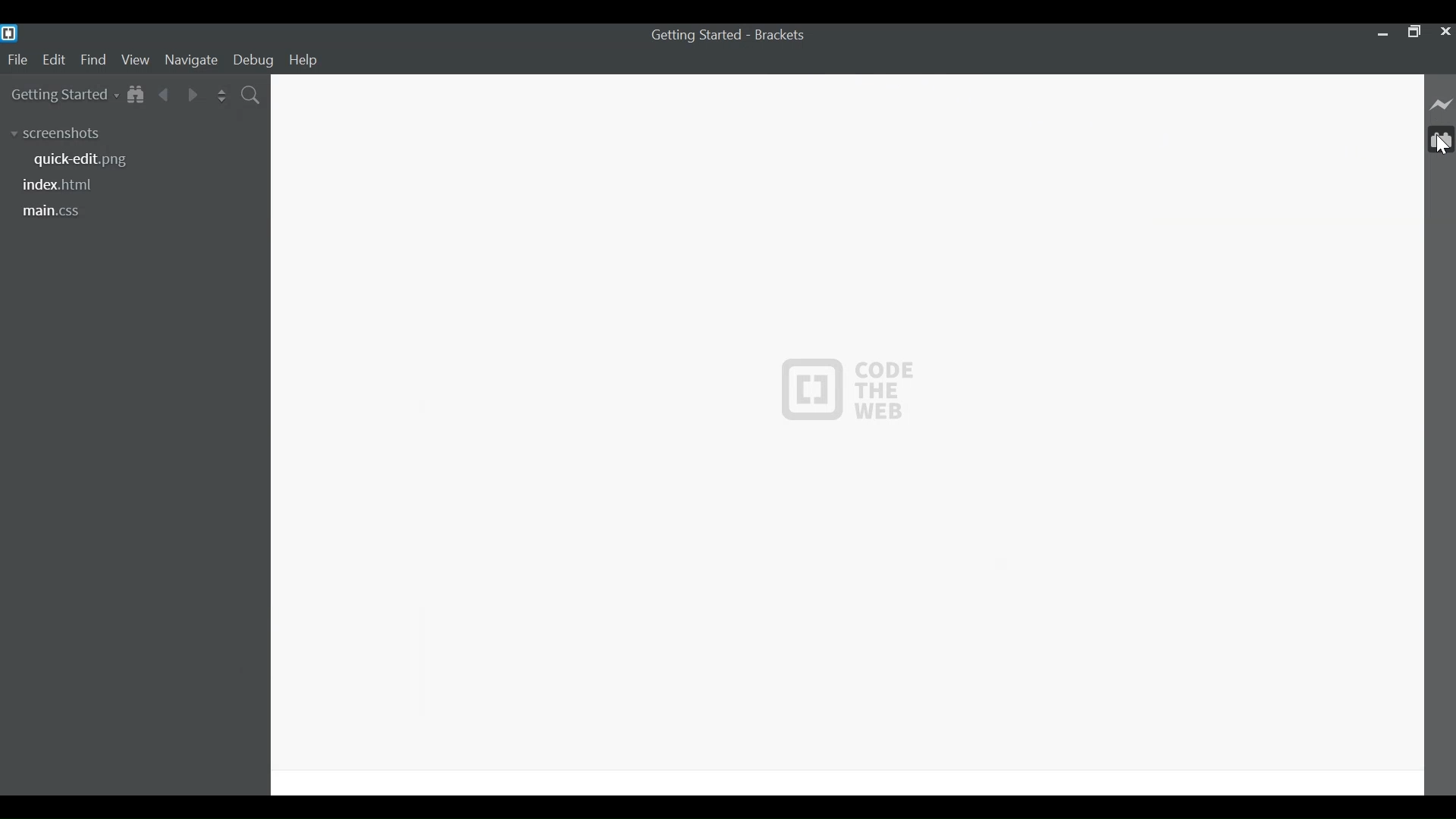 Image resolution: width=1456 pixels, height=819 pixels. What do you see at coordinates (306, 60) in the screenshot?
I see `Help` at bounding box center [306, 60].